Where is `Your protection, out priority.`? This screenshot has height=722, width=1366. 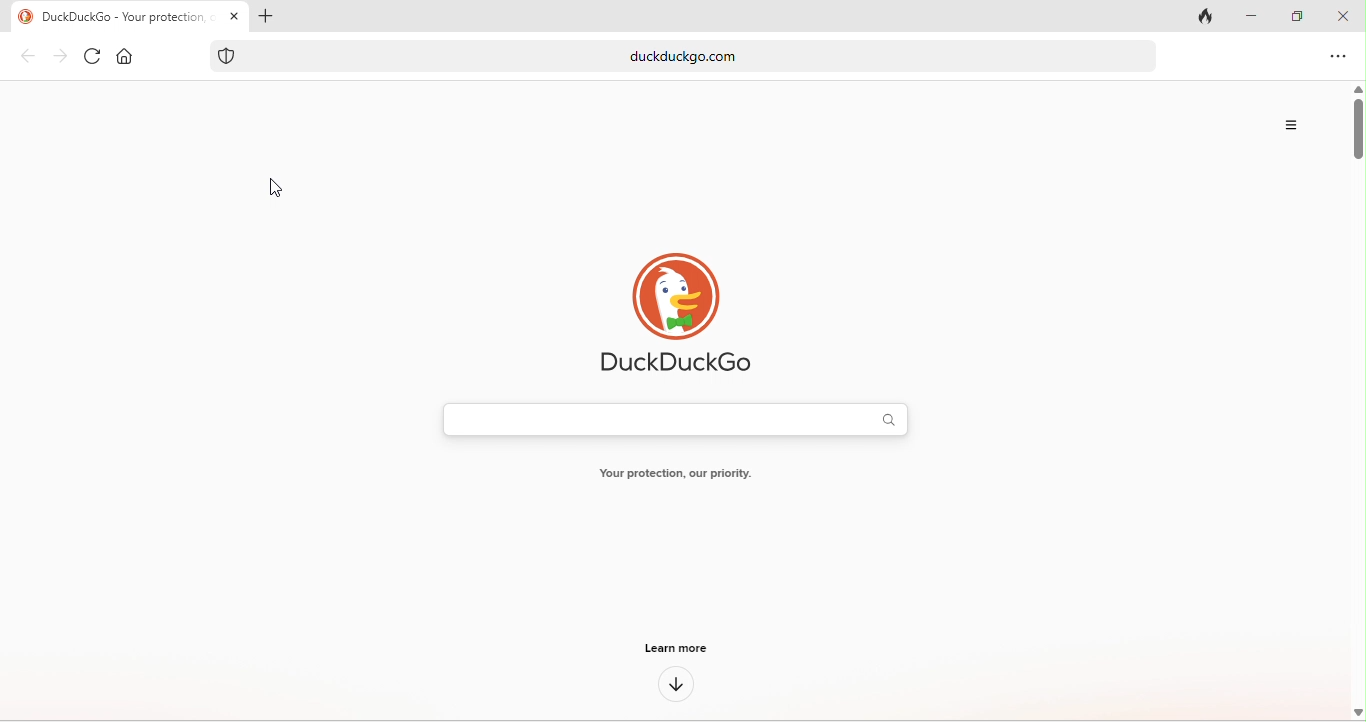
Your protection, out priority. is located at coordinates (676, 473).